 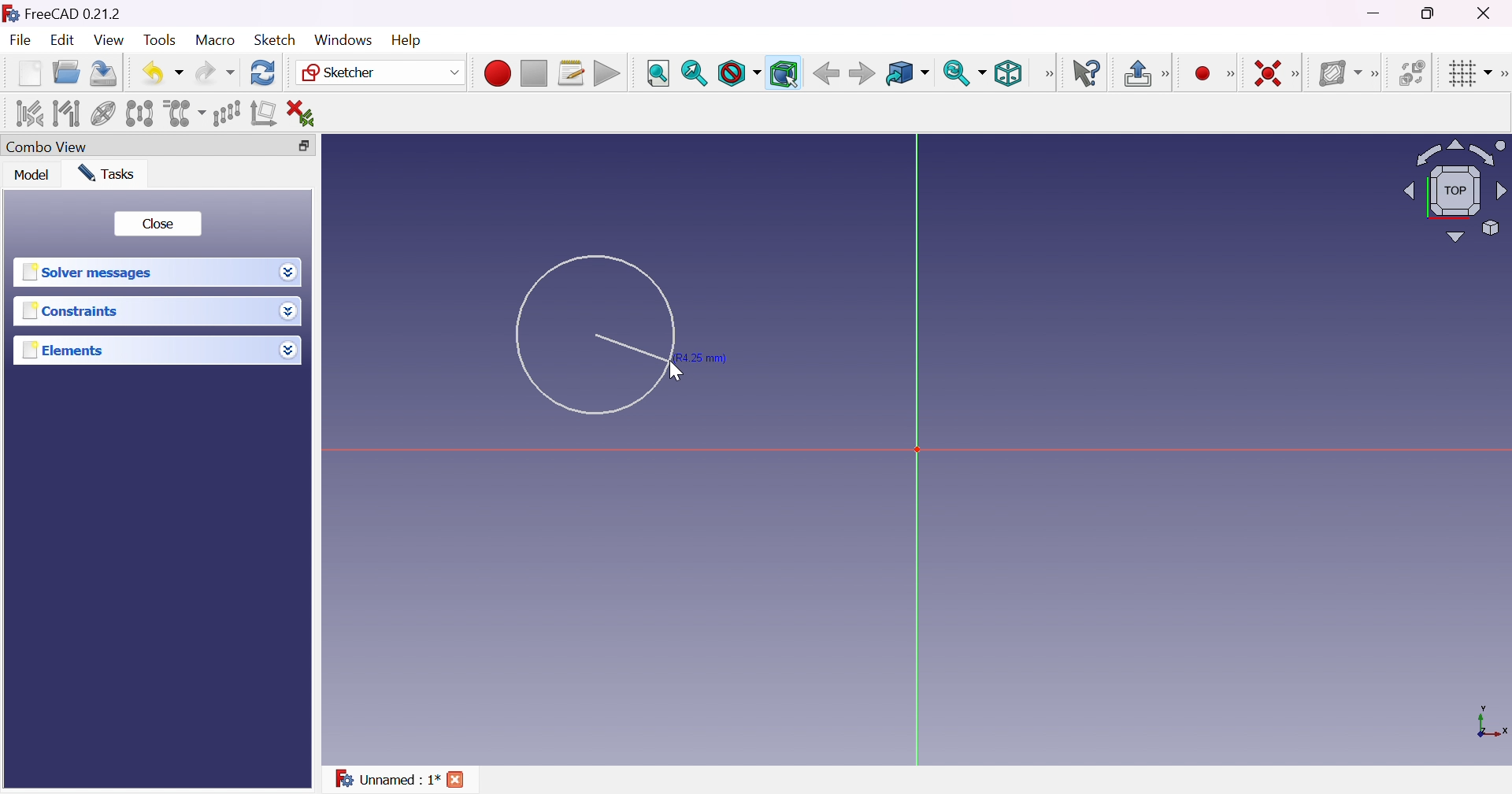 What do you see at coordinates (1374, 13) in the screenshot?
I see `Minimize` at bounding box center [1374, 13].